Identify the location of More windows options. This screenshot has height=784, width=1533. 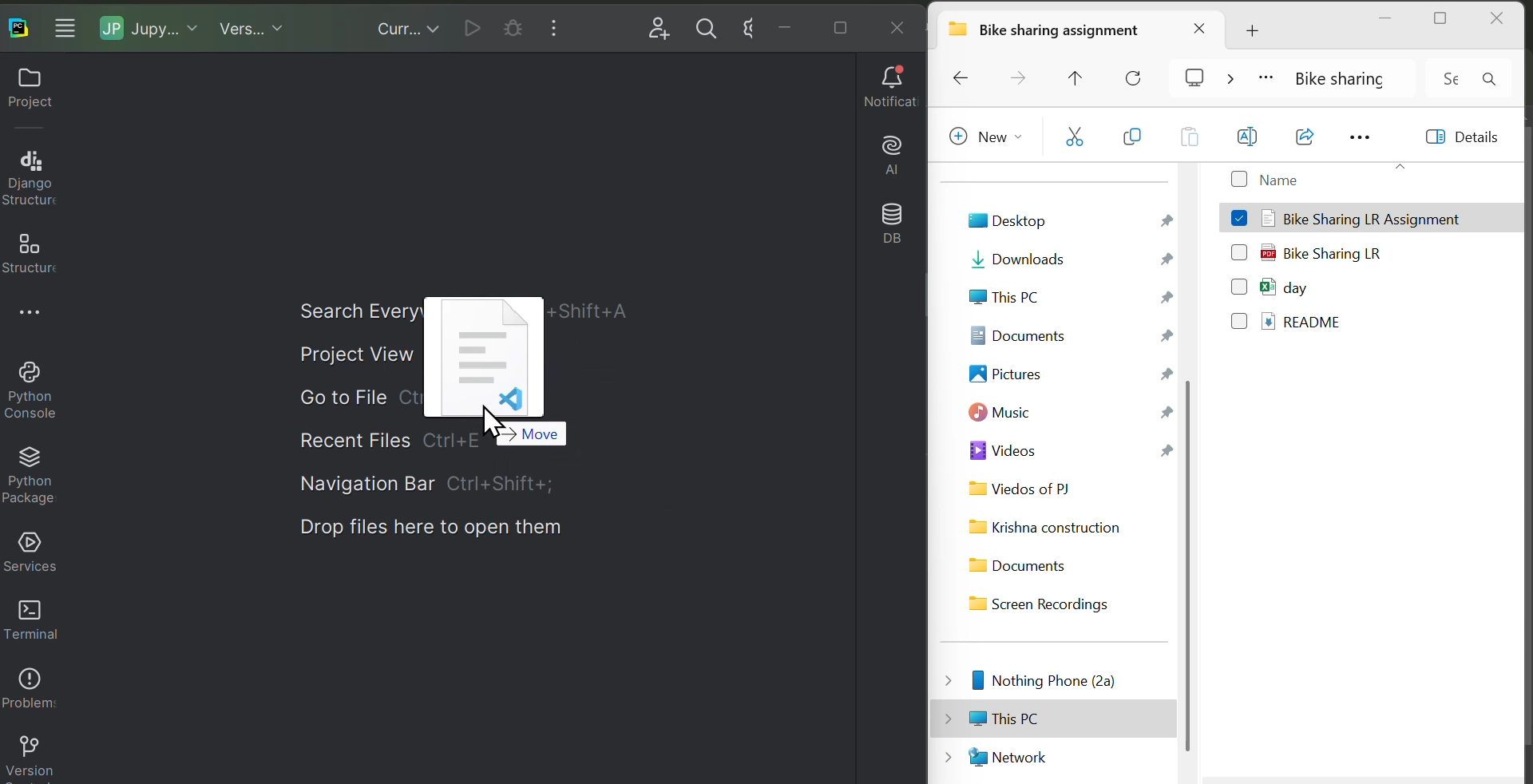
(561, 27).